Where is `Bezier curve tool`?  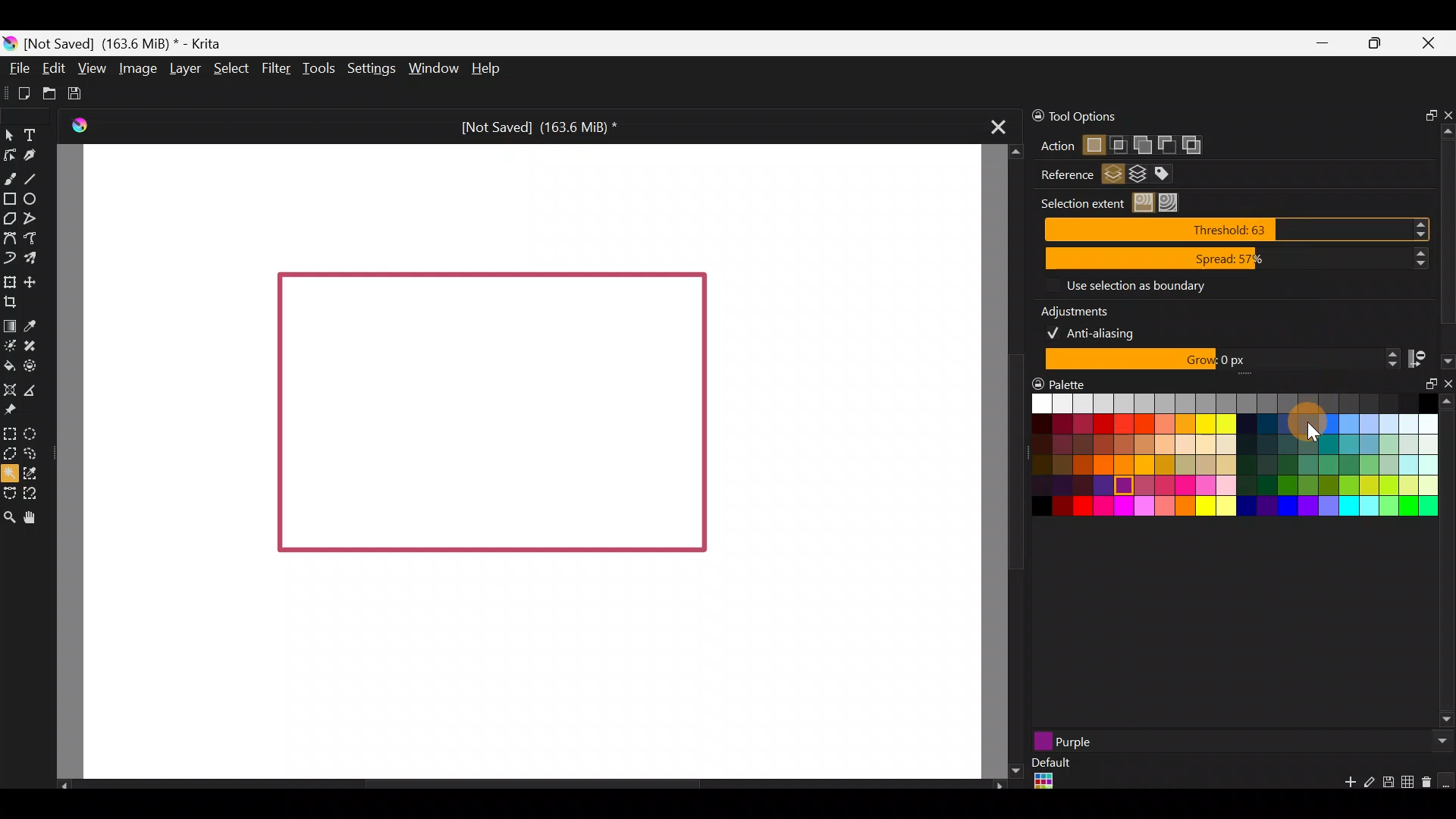
Bezier curve tool is located at coordinates (9, 236).